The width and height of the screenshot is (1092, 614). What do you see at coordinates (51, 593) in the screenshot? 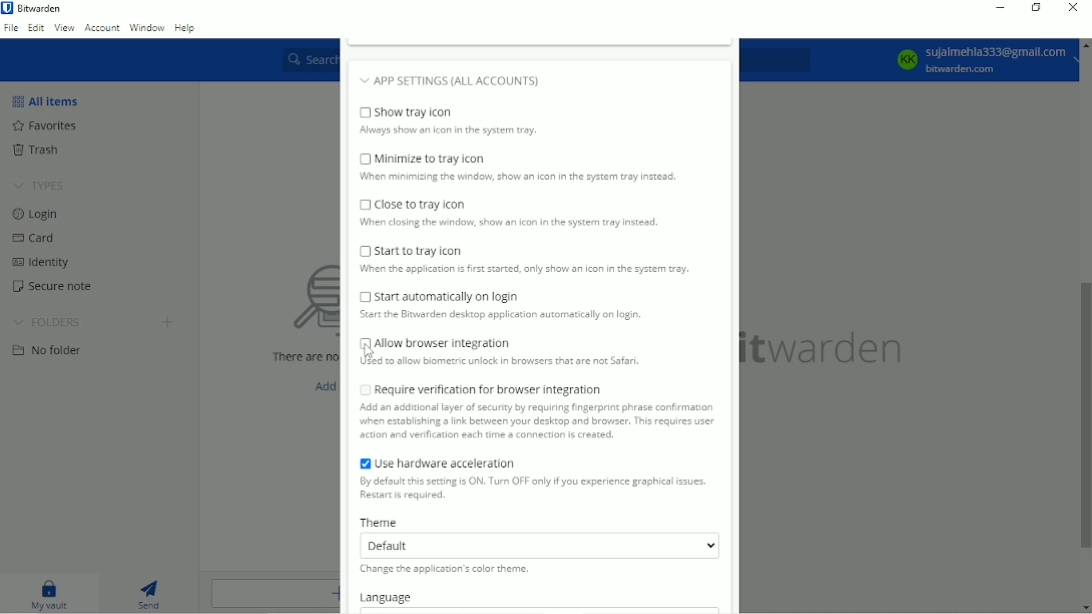
I see `My vault` at bounding box center [51, 593].